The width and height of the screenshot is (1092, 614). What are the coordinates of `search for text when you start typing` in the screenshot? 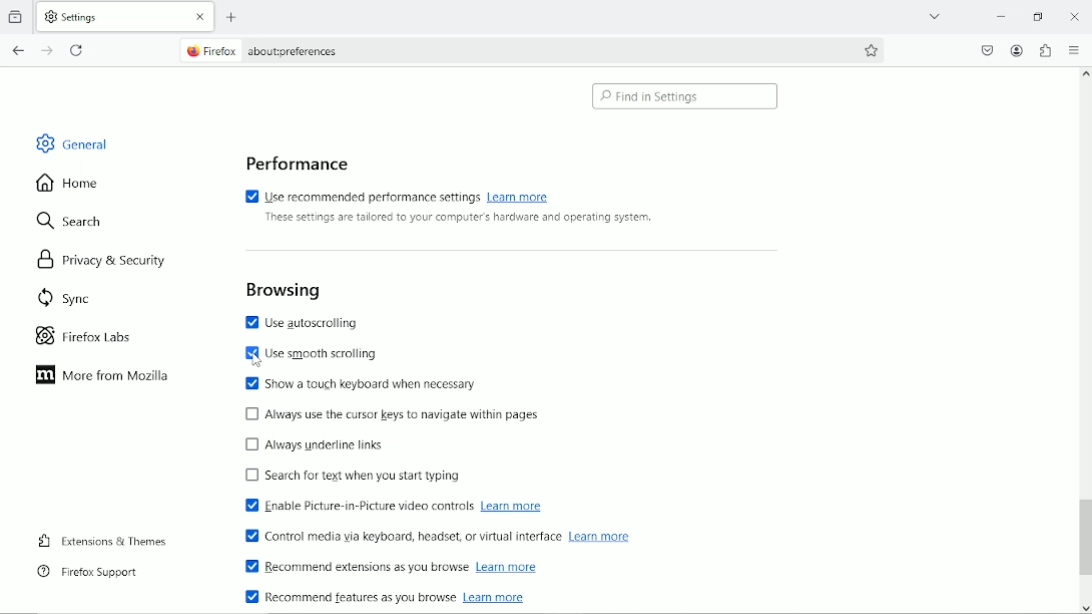 It's located at (353, 477).